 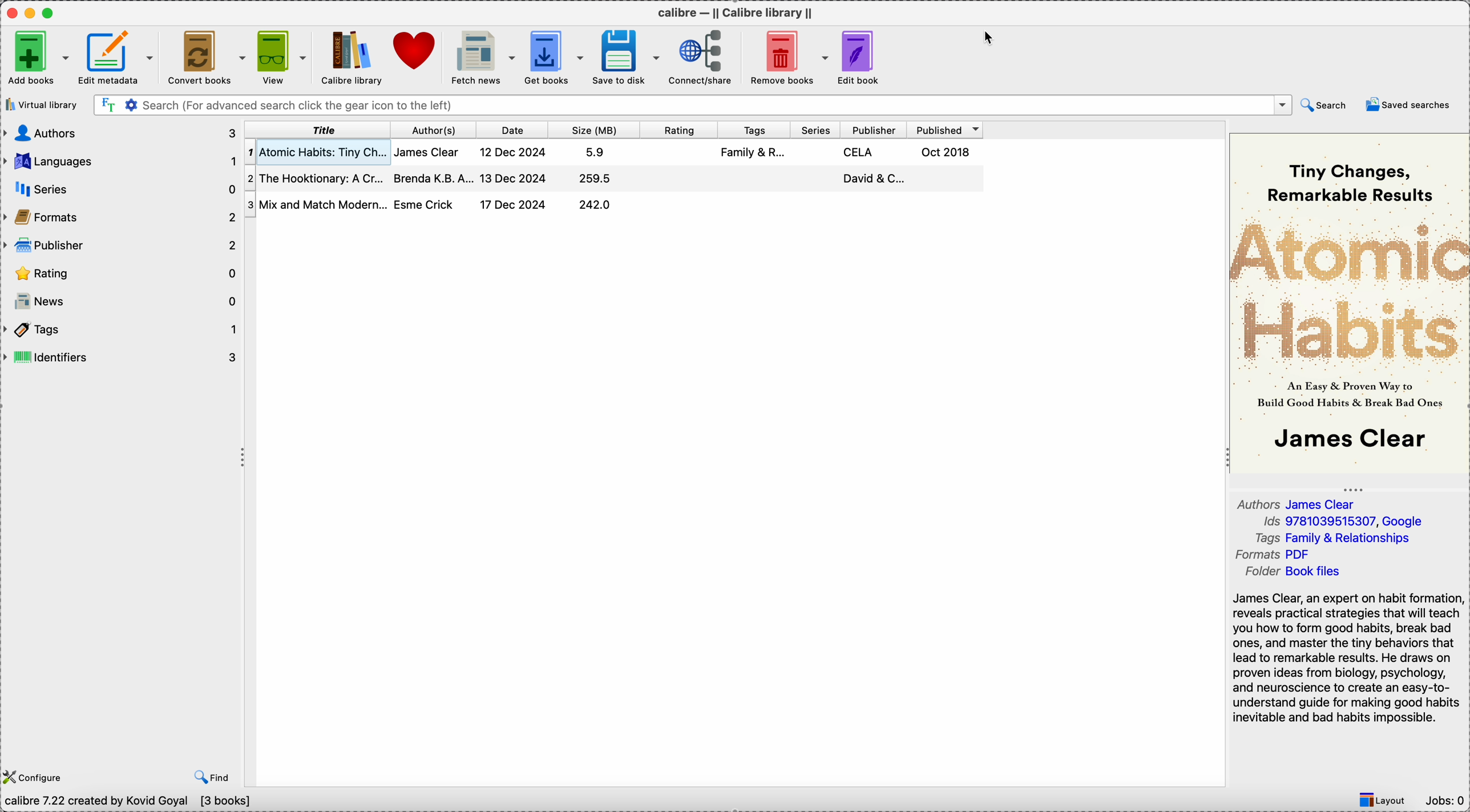 I want to click on virtual library, so click(x=44, y=104).